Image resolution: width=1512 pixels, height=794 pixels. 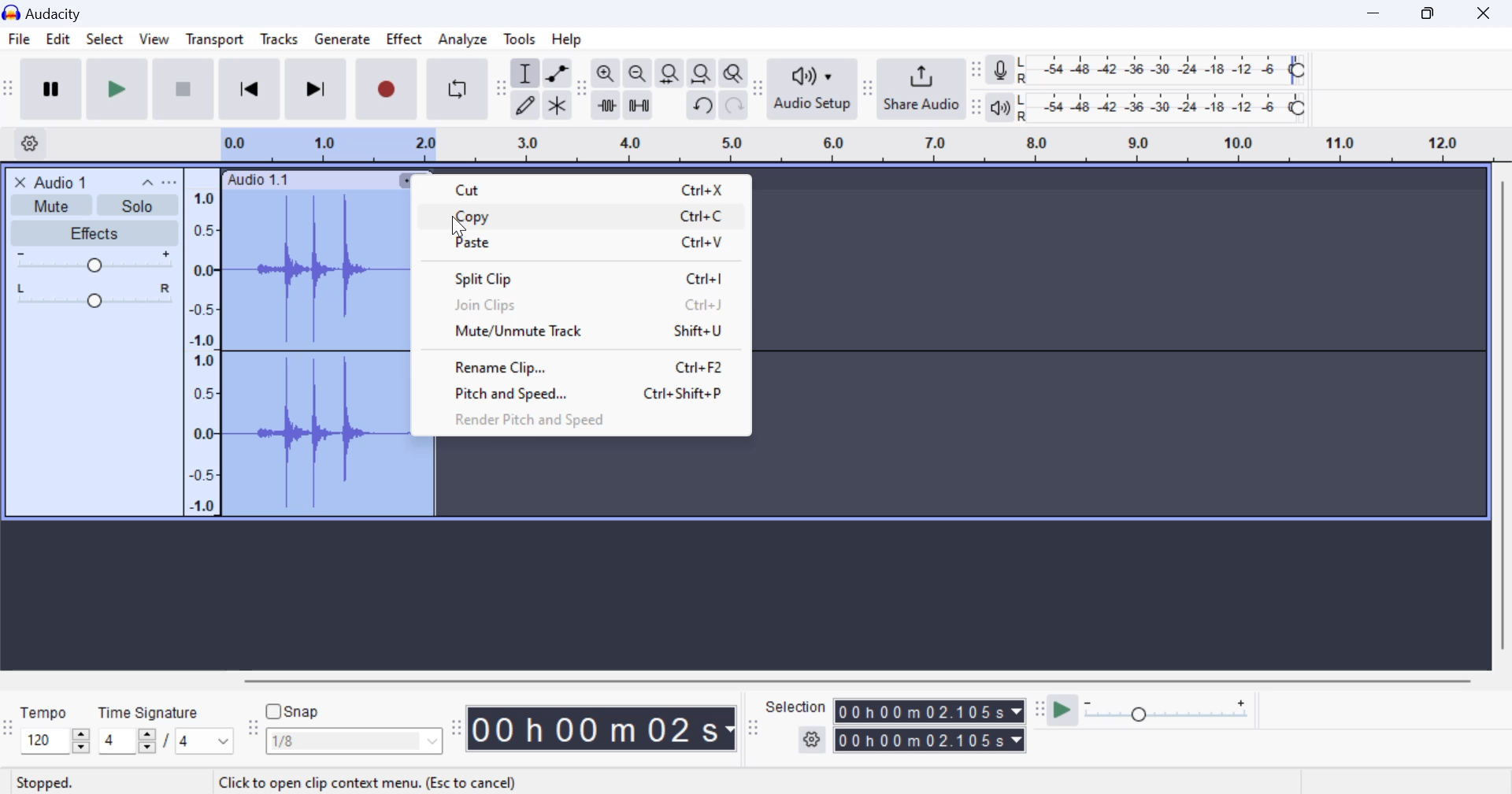 What do you see at coordinates (139, 206) in the screenshot?
I see `Solo` at bounding box center [139, 206].